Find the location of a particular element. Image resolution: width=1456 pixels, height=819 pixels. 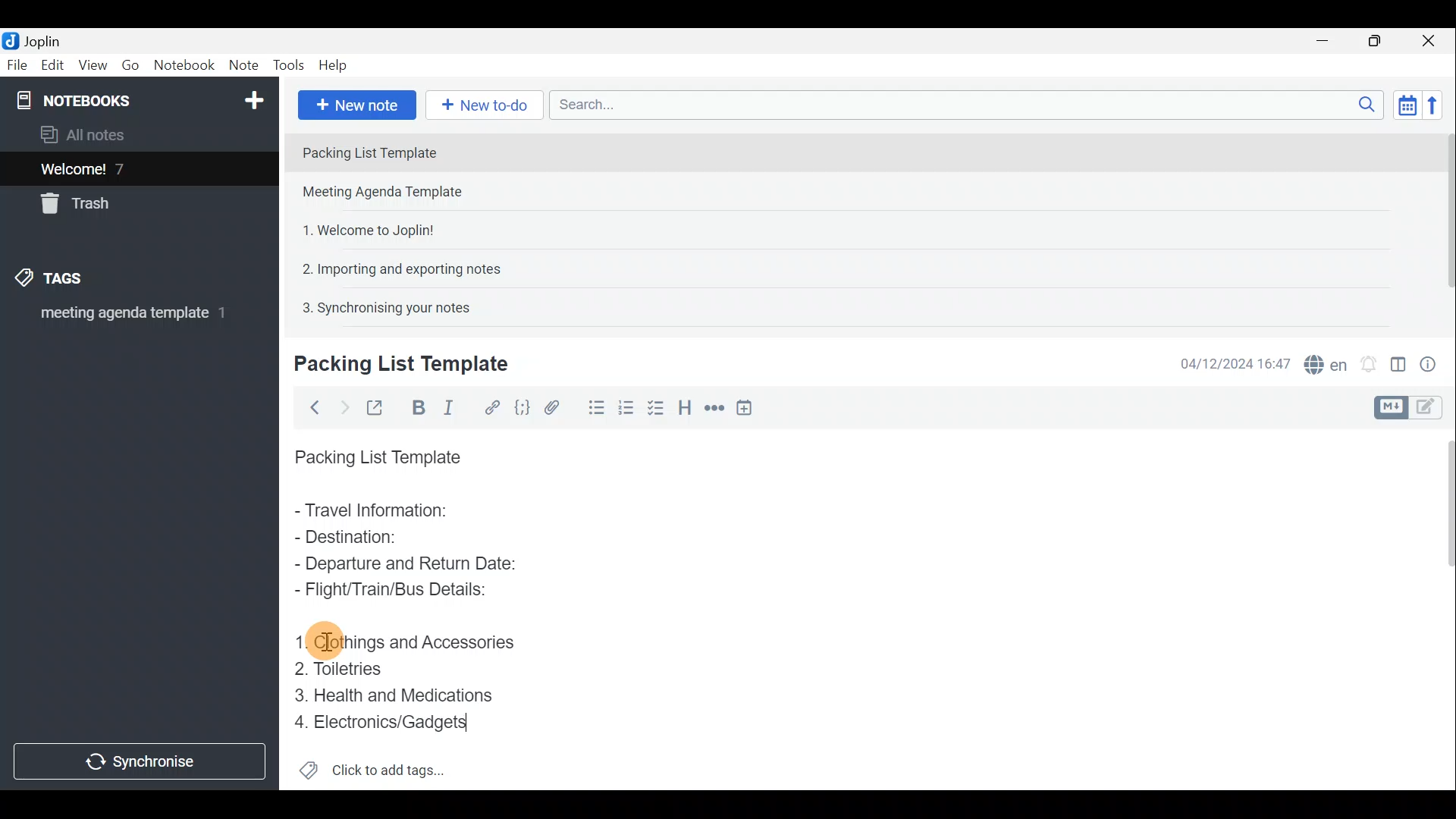

Close is located at coordinates (1433, 40).